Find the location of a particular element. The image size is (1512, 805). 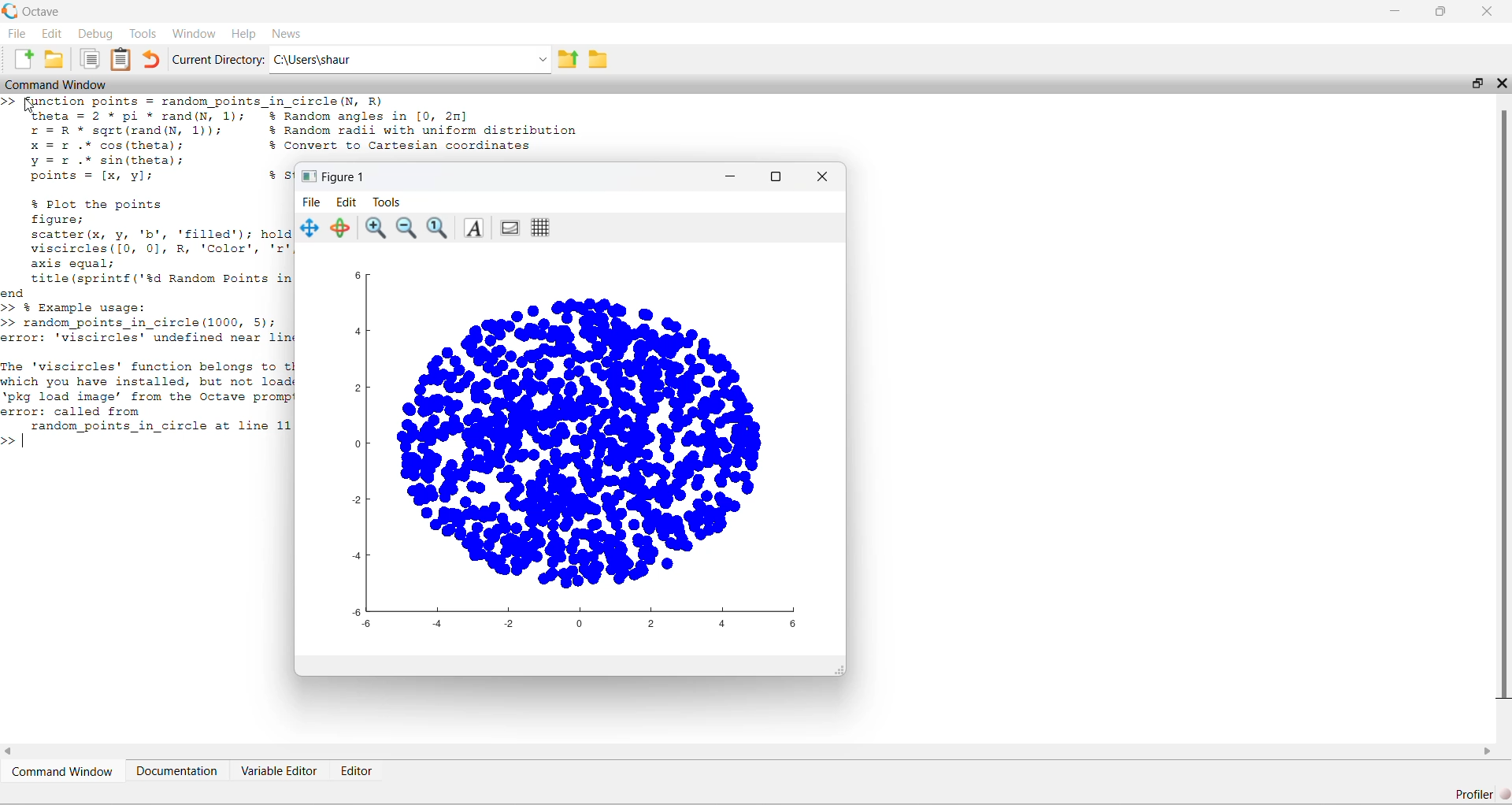

C:\Users\shaur is located at coordinates (400, 59).